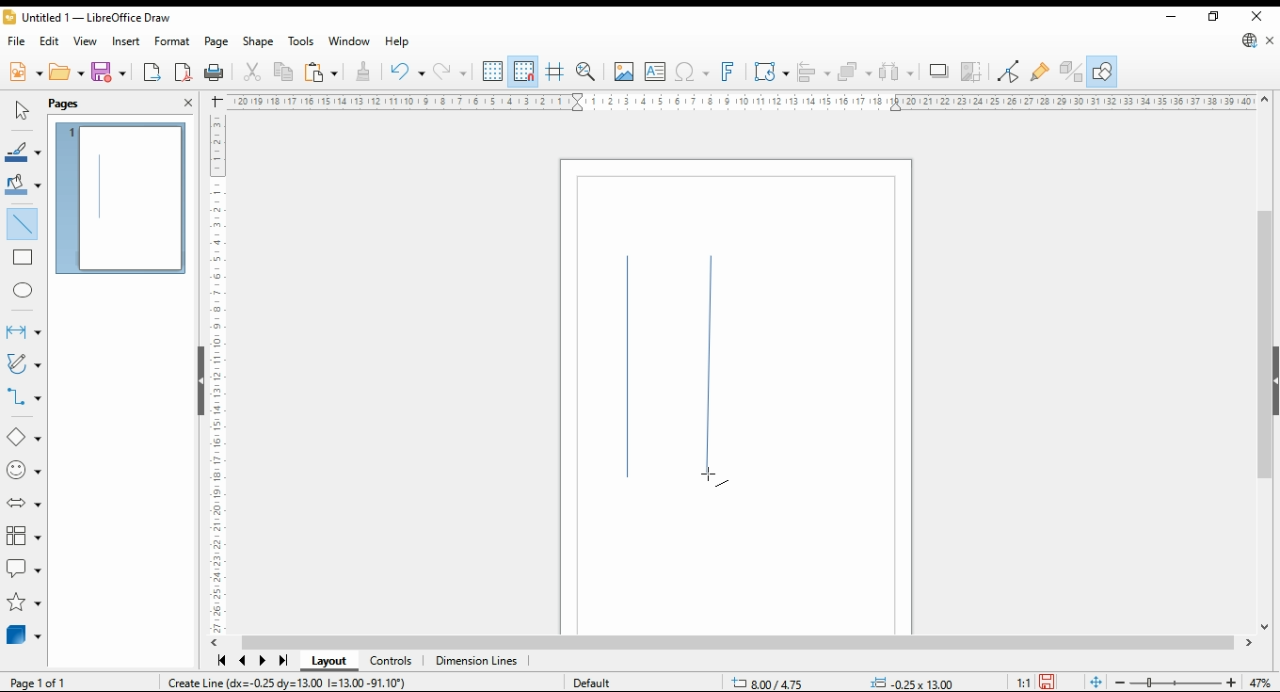 Image resolution: width=1280 pixels, height=692 pixels. What do you see at coordinates (66, 73) in the screenshot?
I see `open` at bounding box center [66, 73].